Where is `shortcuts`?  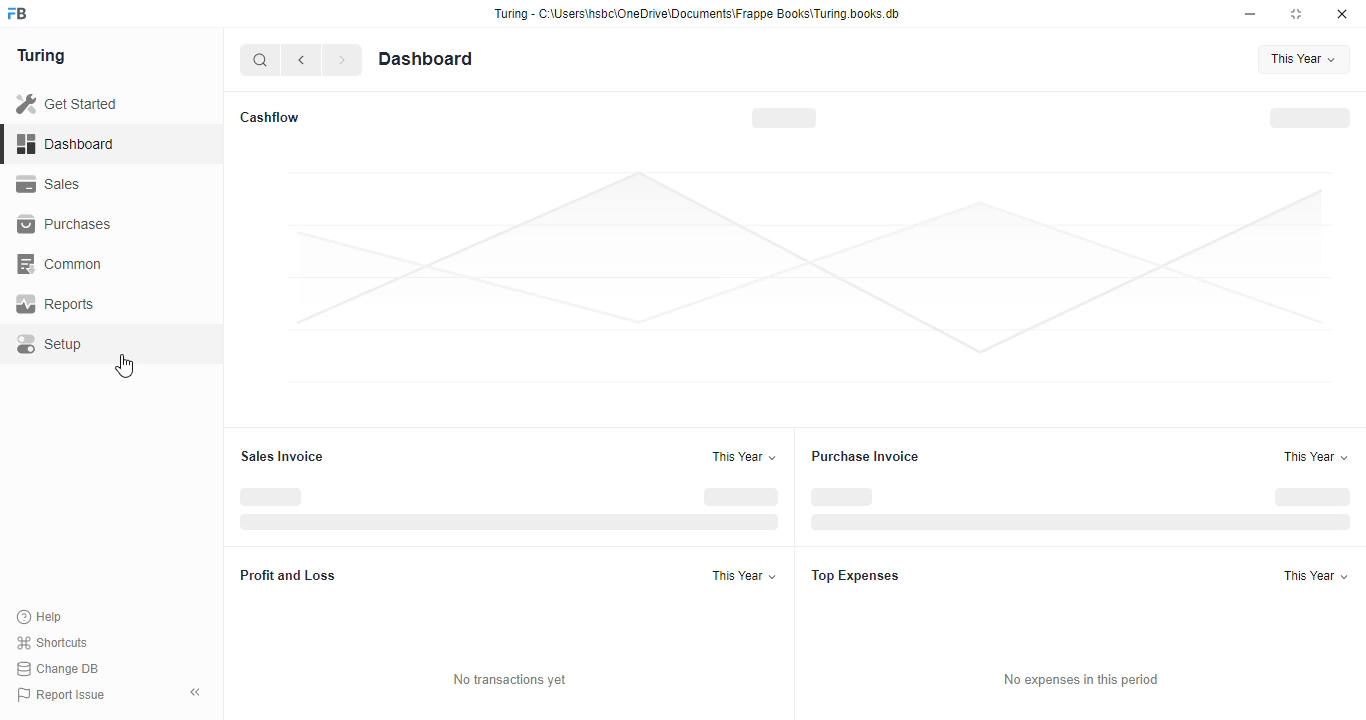
shortcuts is located at coordinates (52, 643).